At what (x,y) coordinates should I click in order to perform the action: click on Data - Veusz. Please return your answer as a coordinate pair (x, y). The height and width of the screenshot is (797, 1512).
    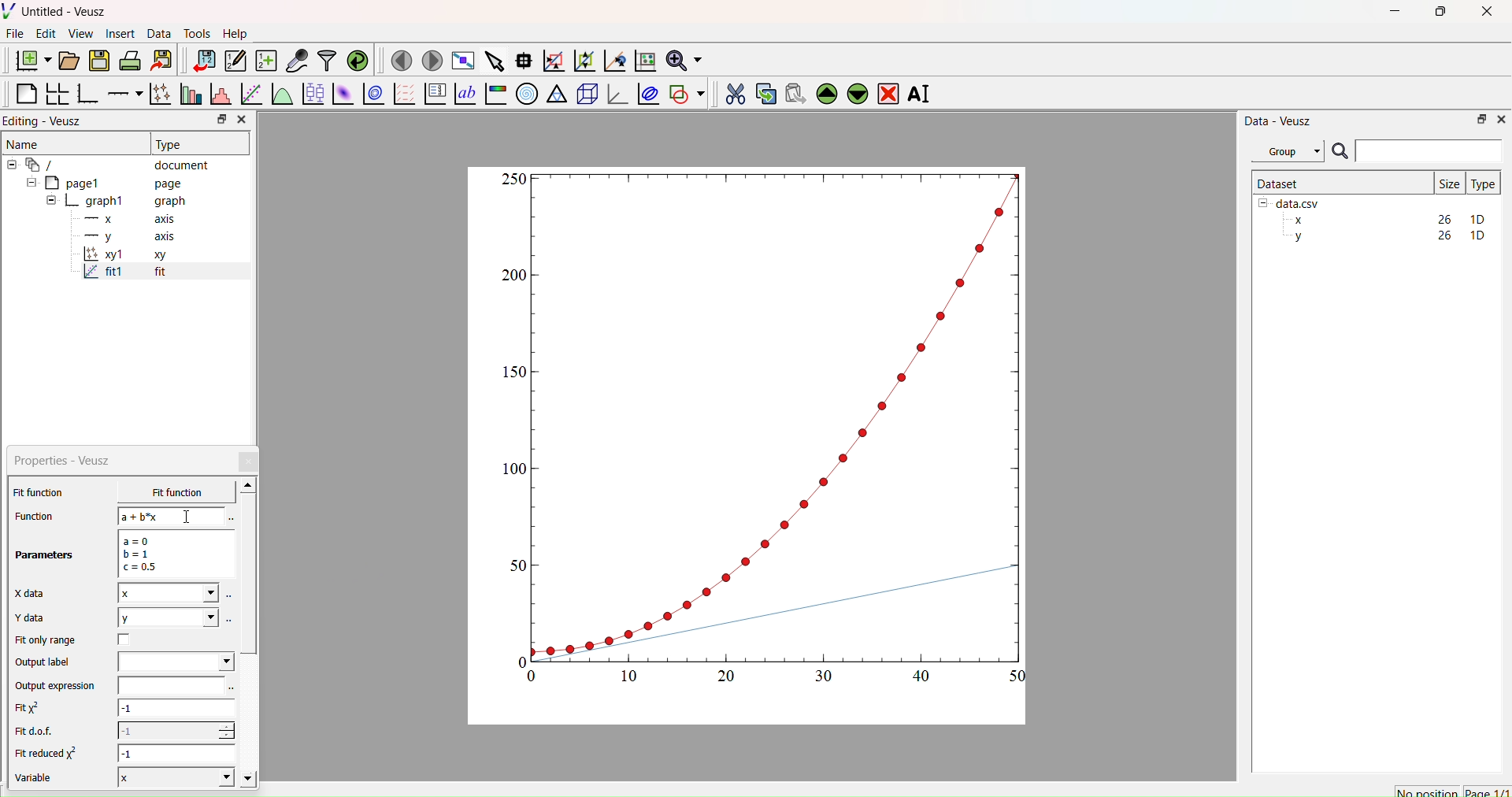
    Looking at the image, I should click on (1278, 120).